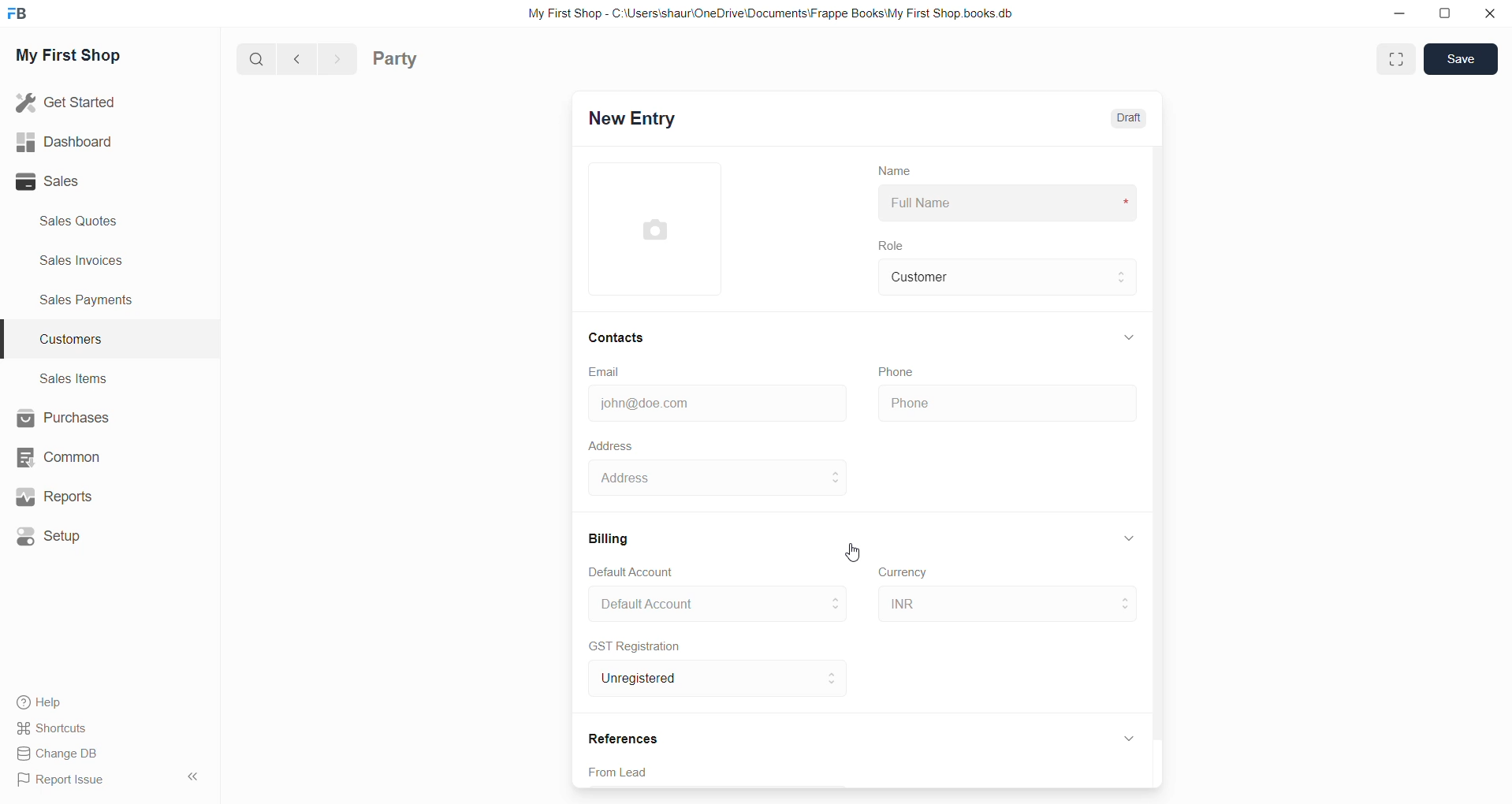 This screenshot has height=804, width=1512. I want to click on Shortcuts, so click(53, 728).